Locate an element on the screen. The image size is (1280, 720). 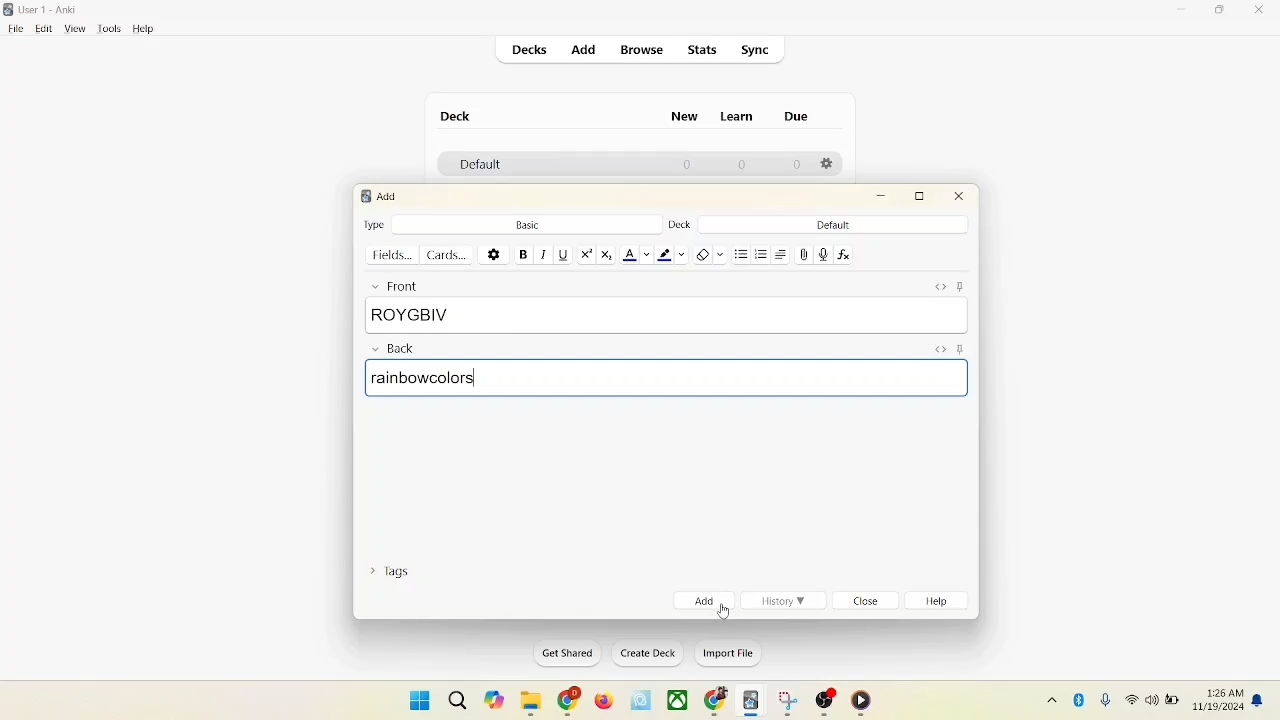
 is located at coordinates (743, 168).